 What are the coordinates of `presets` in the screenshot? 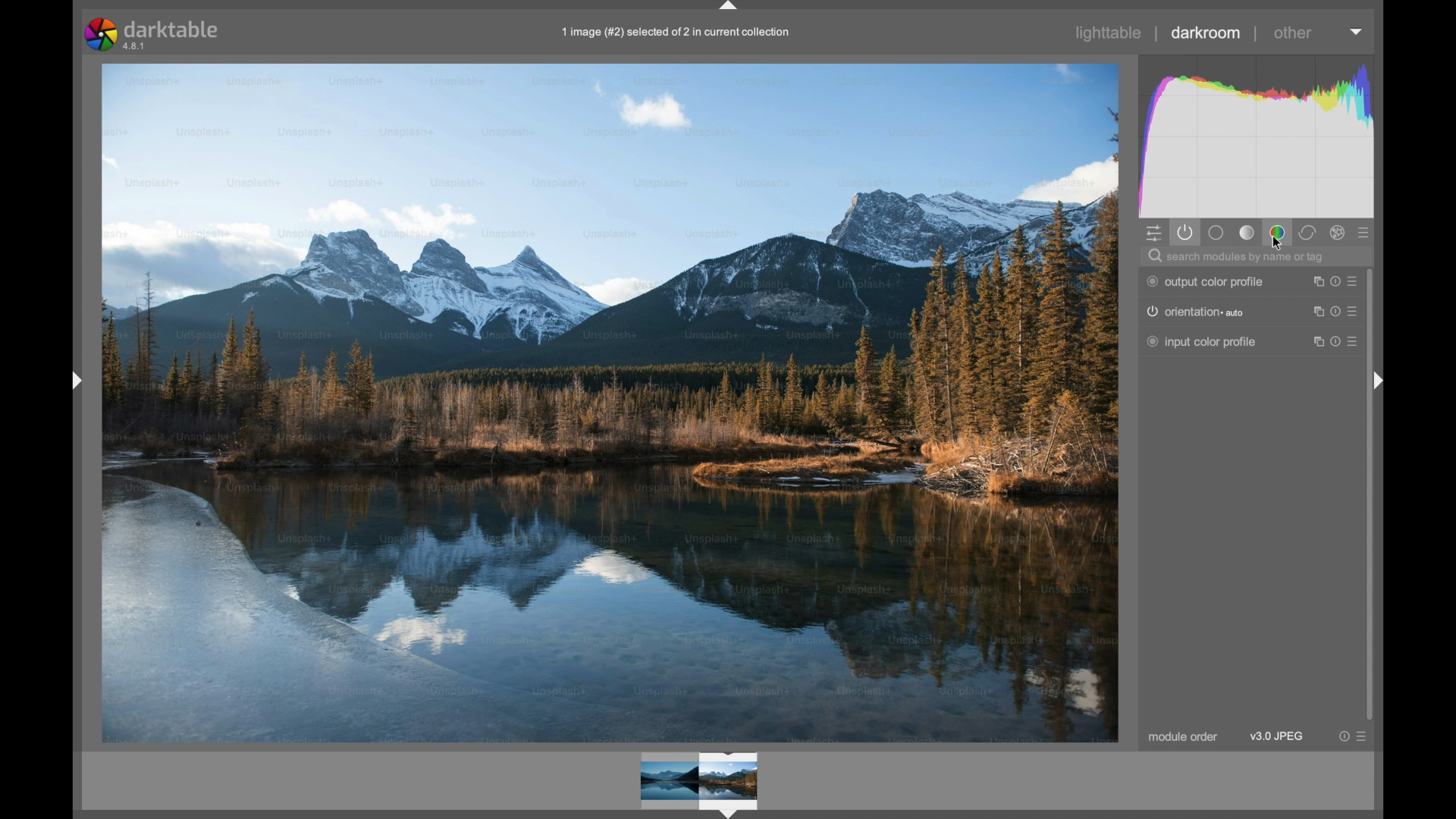 It's located at (1356, 341).